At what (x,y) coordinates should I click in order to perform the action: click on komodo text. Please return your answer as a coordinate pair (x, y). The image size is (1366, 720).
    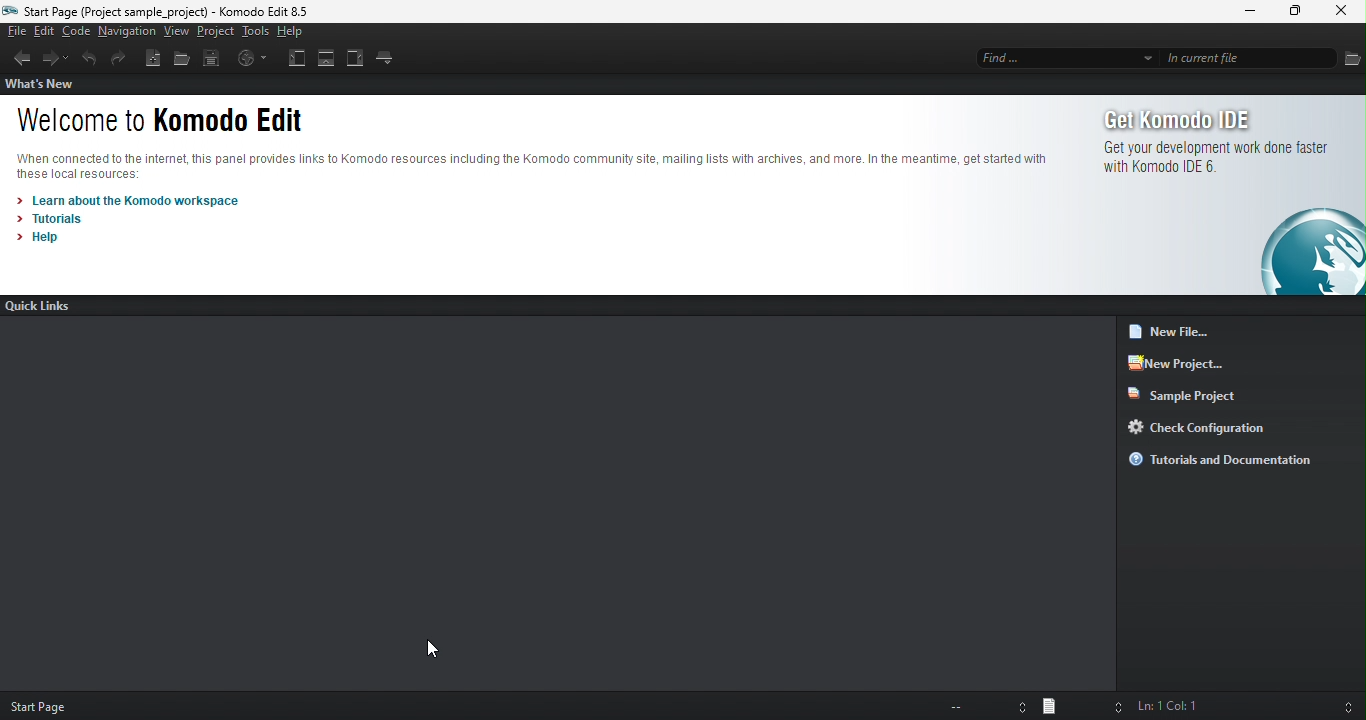
    Looking at the image, I should click on (538, 161).